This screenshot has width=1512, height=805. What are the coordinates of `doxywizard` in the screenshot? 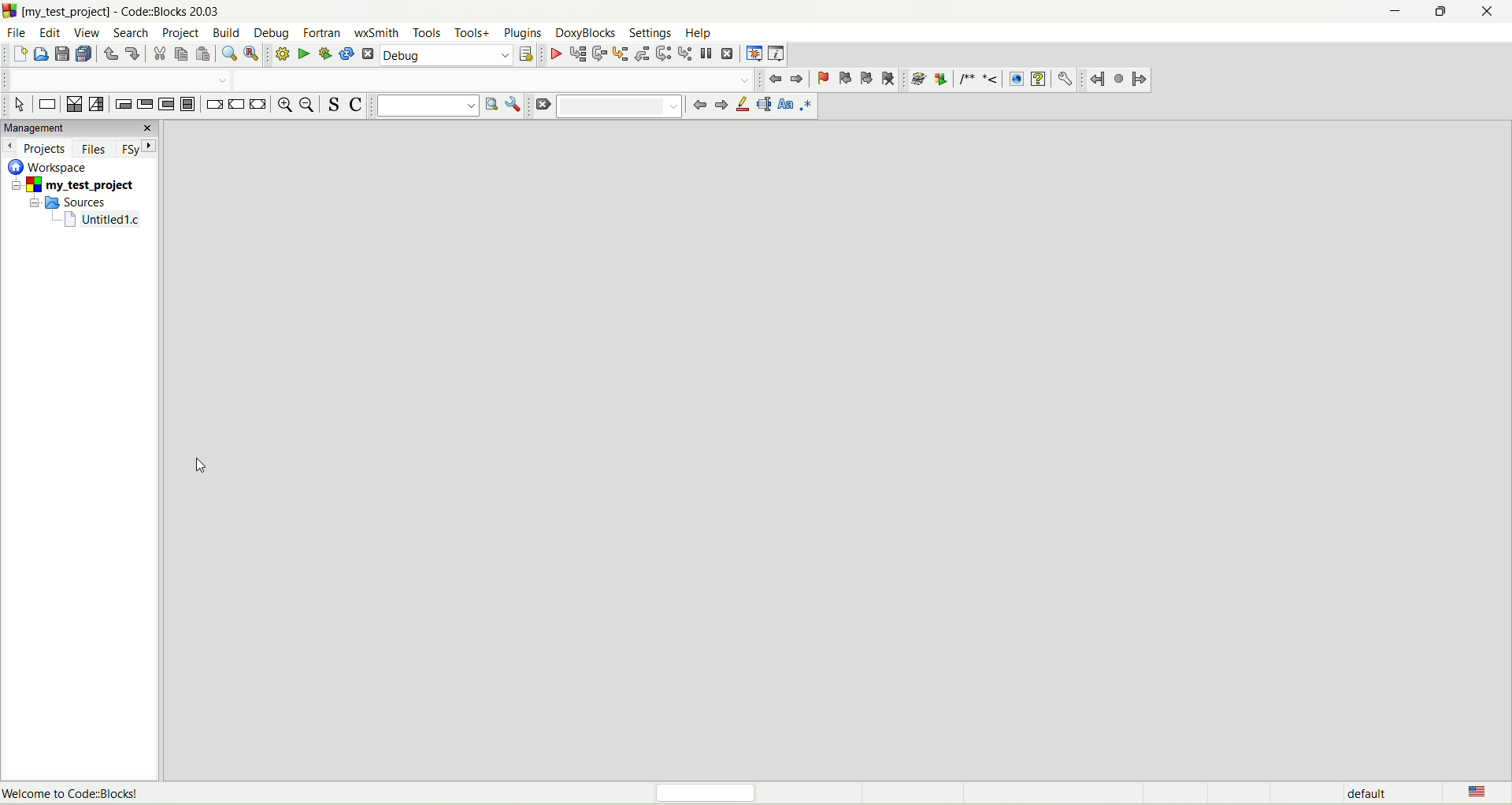 It's located at (917, 80).